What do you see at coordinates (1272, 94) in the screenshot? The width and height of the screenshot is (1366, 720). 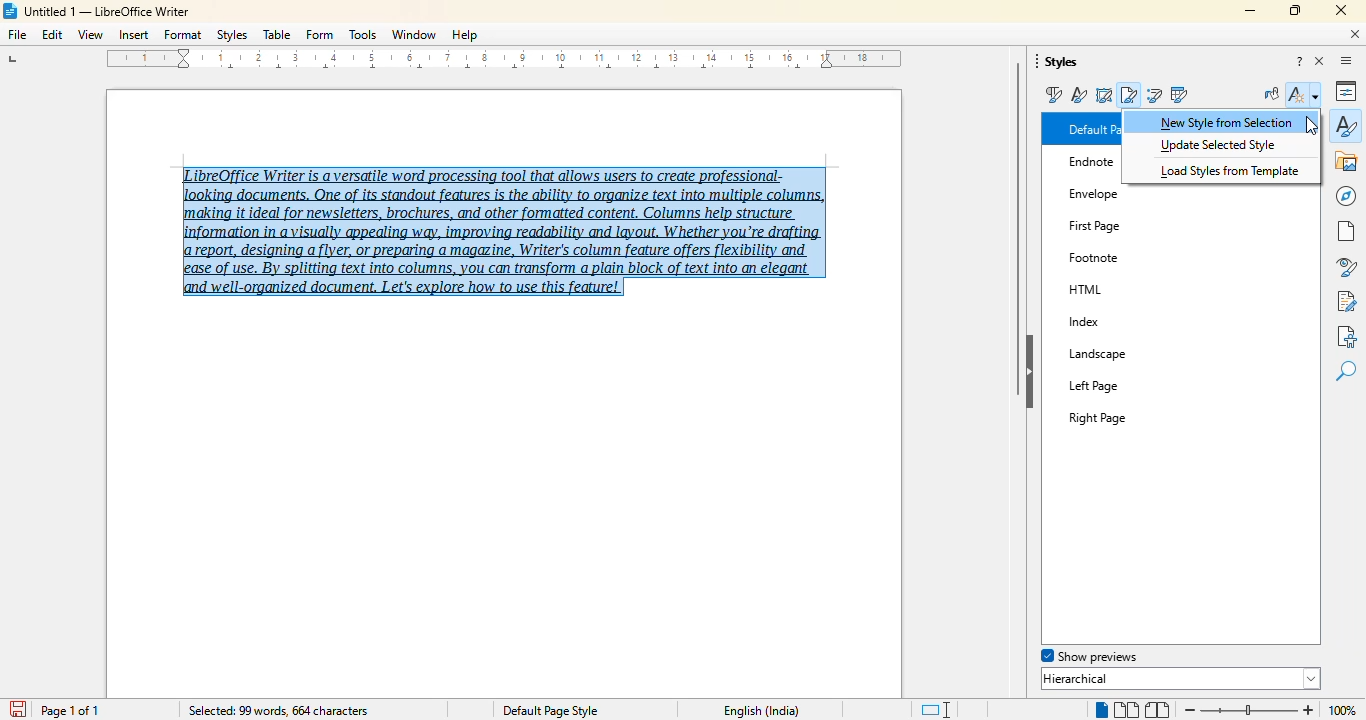 I see `fill format mode` at bounding box center [1272, 94].